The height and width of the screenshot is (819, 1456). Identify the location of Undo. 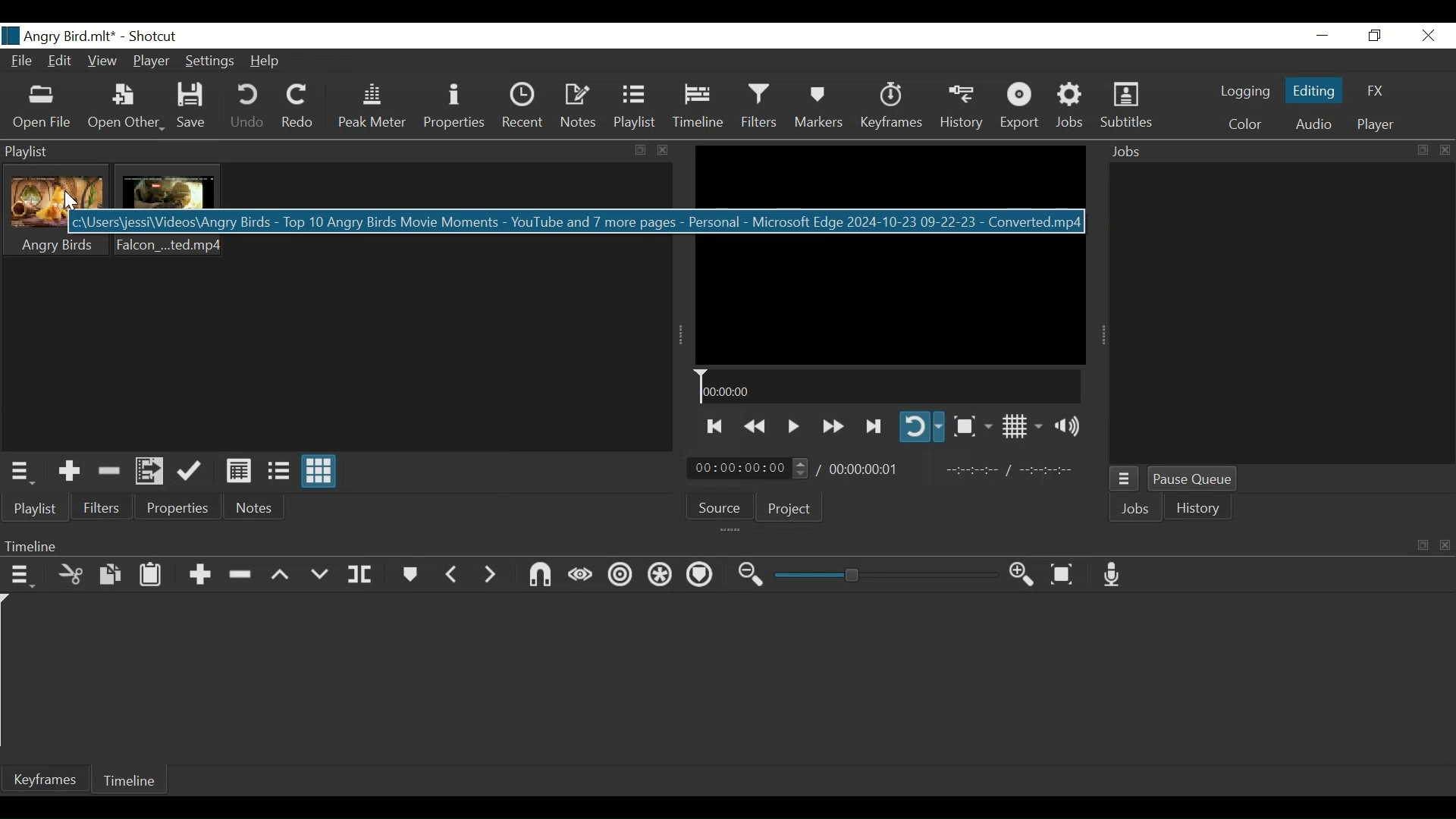
(249, 108).